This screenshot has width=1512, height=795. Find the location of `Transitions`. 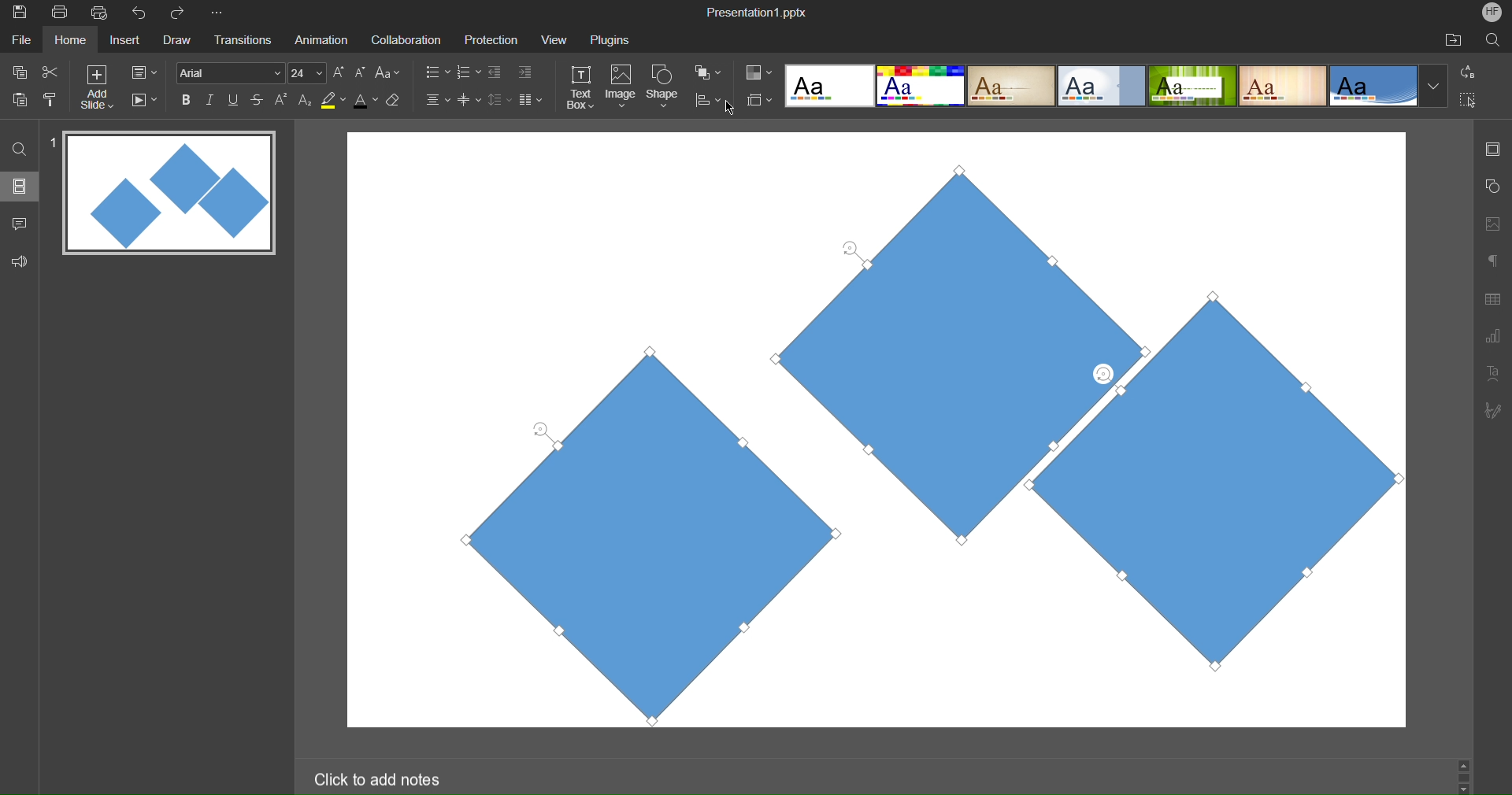

Transitions is located at coordinates (241, 41).